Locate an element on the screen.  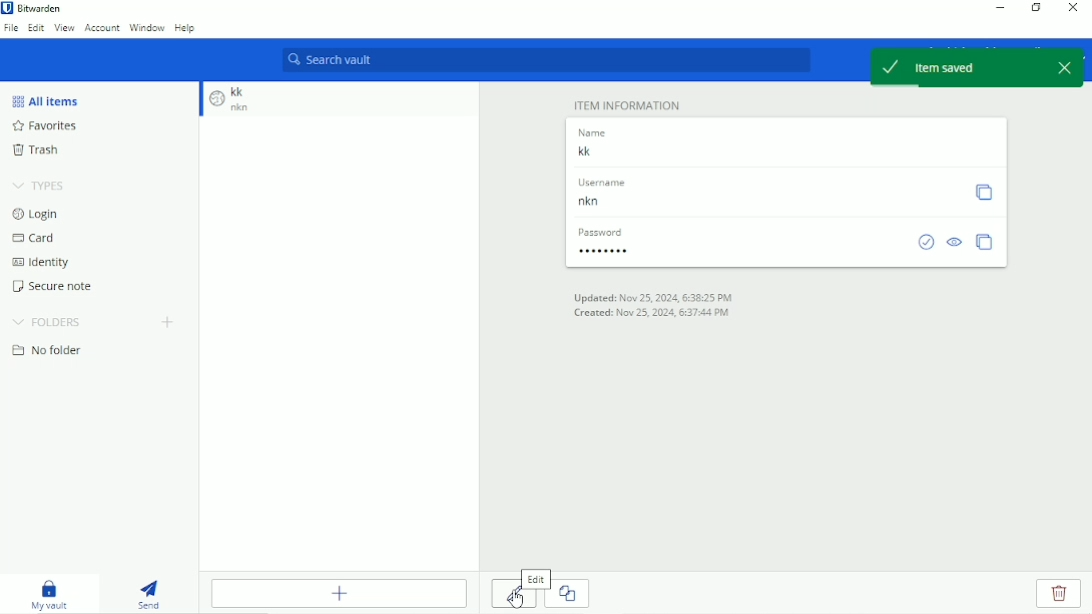
Folders is located at coordinates (46, 322).